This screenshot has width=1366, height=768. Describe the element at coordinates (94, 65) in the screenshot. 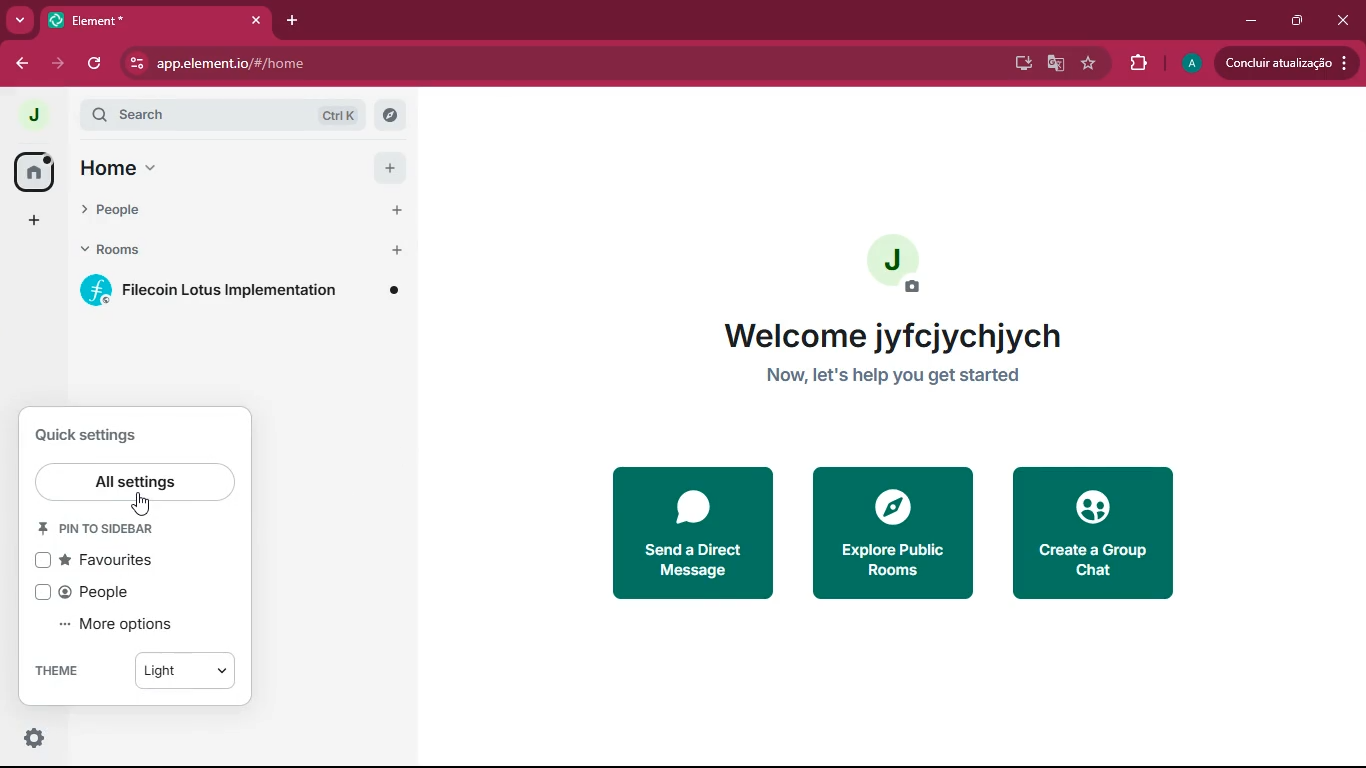

I see `refresh` at that location.